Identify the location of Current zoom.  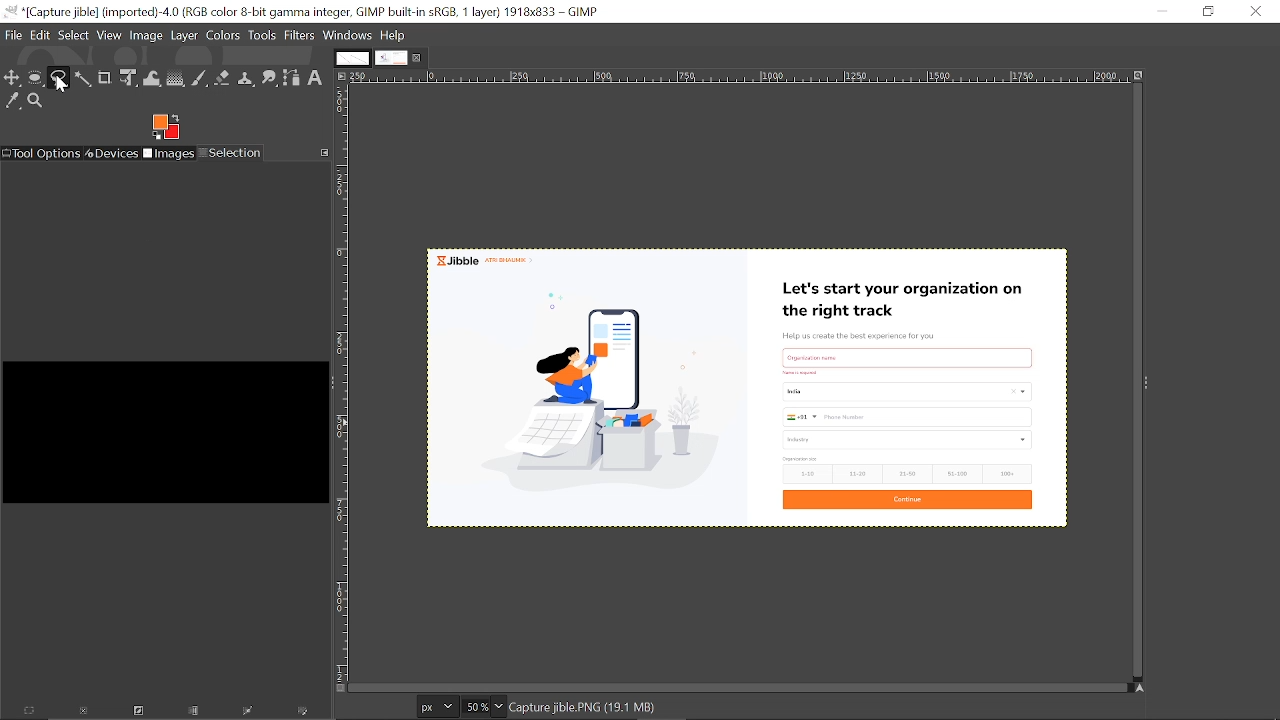
(474, 707).